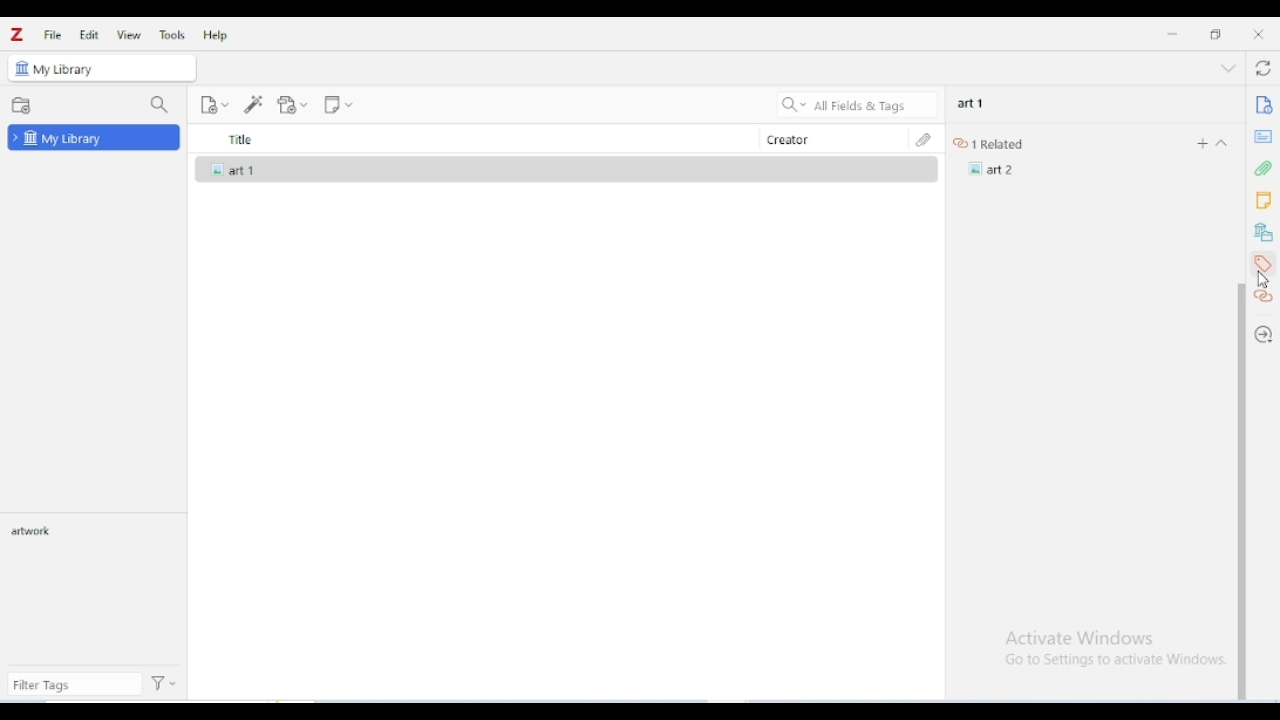 This screenshot has height=720, width=1280. I want to click on maximize, so click(1218, 34).